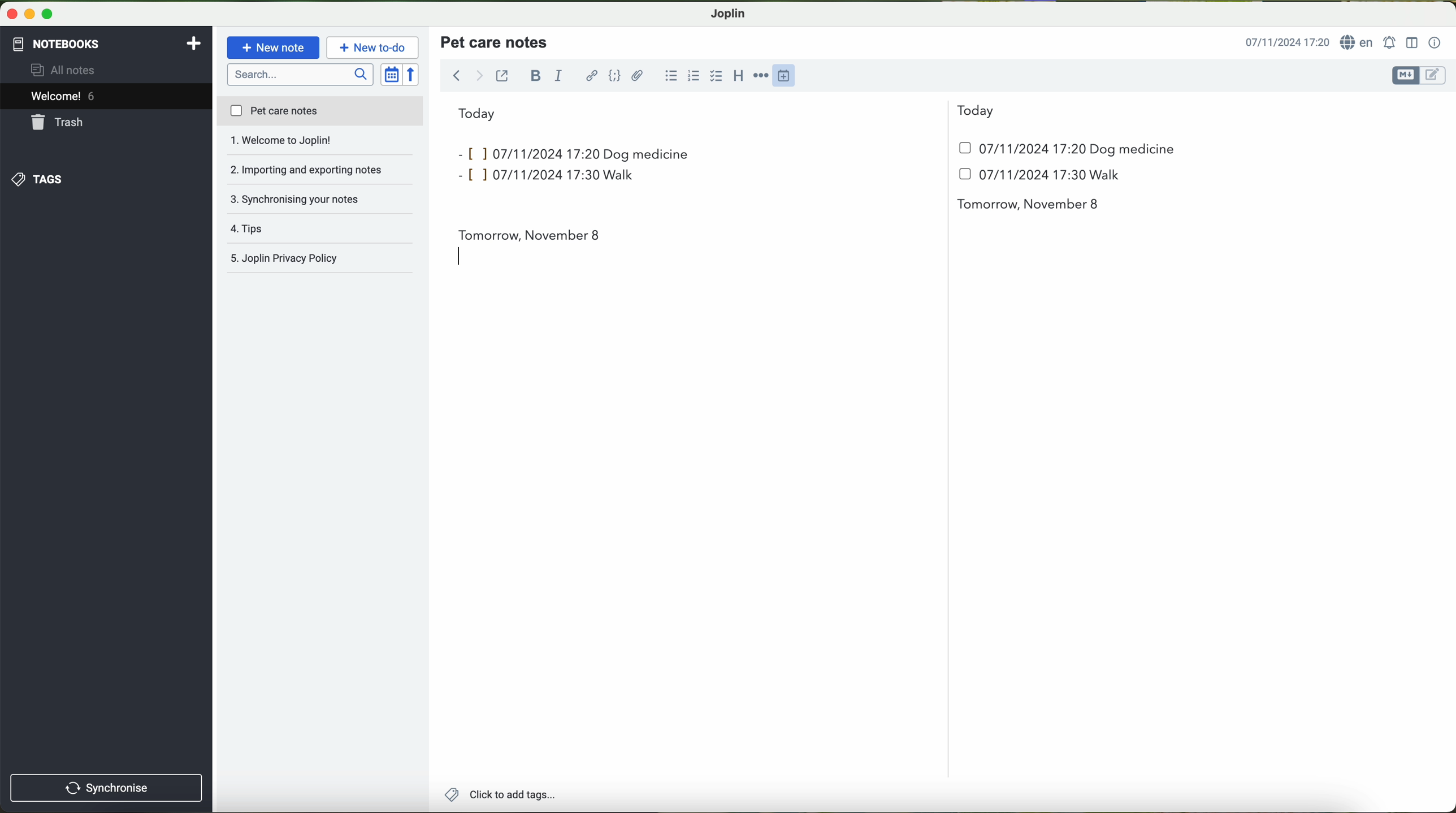 This screenshot has height=813, width=1456. What do you see at coordinates (692, 76) in the screenshot?
I see `numbered list` at bounding box center [692, 76].